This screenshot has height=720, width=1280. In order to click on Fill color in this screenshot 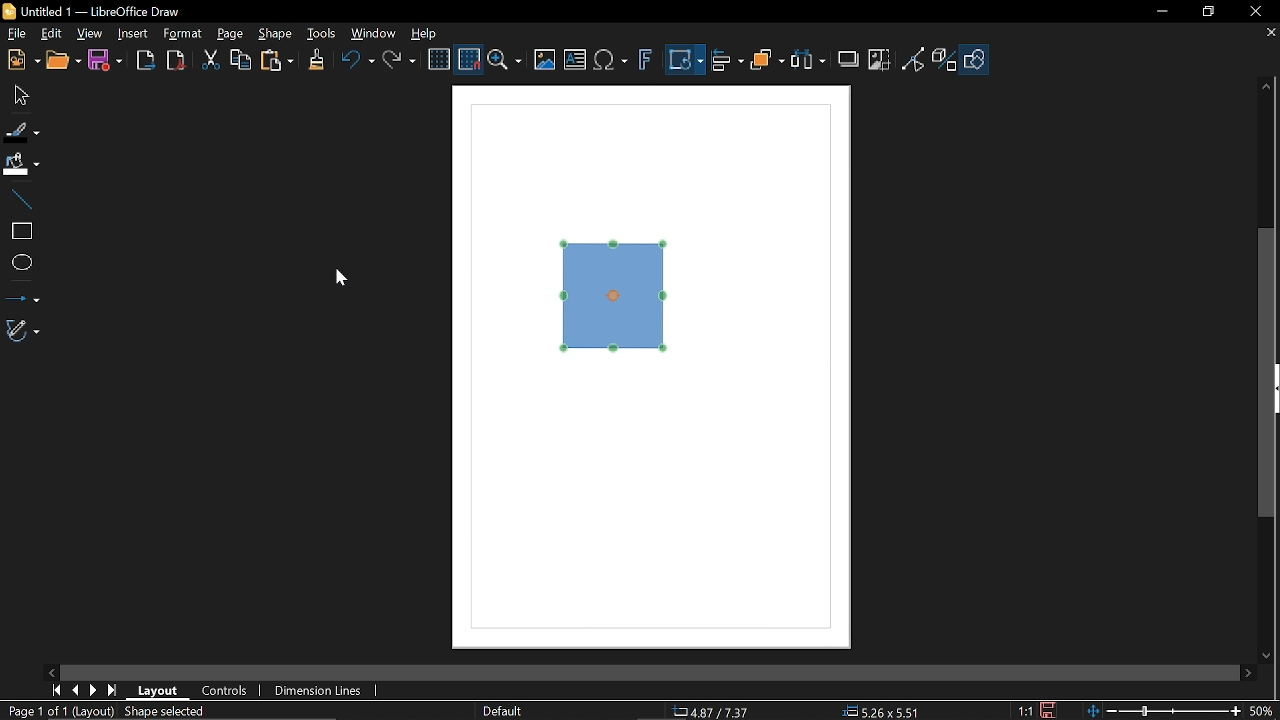, I will do `click(22, 164)`.